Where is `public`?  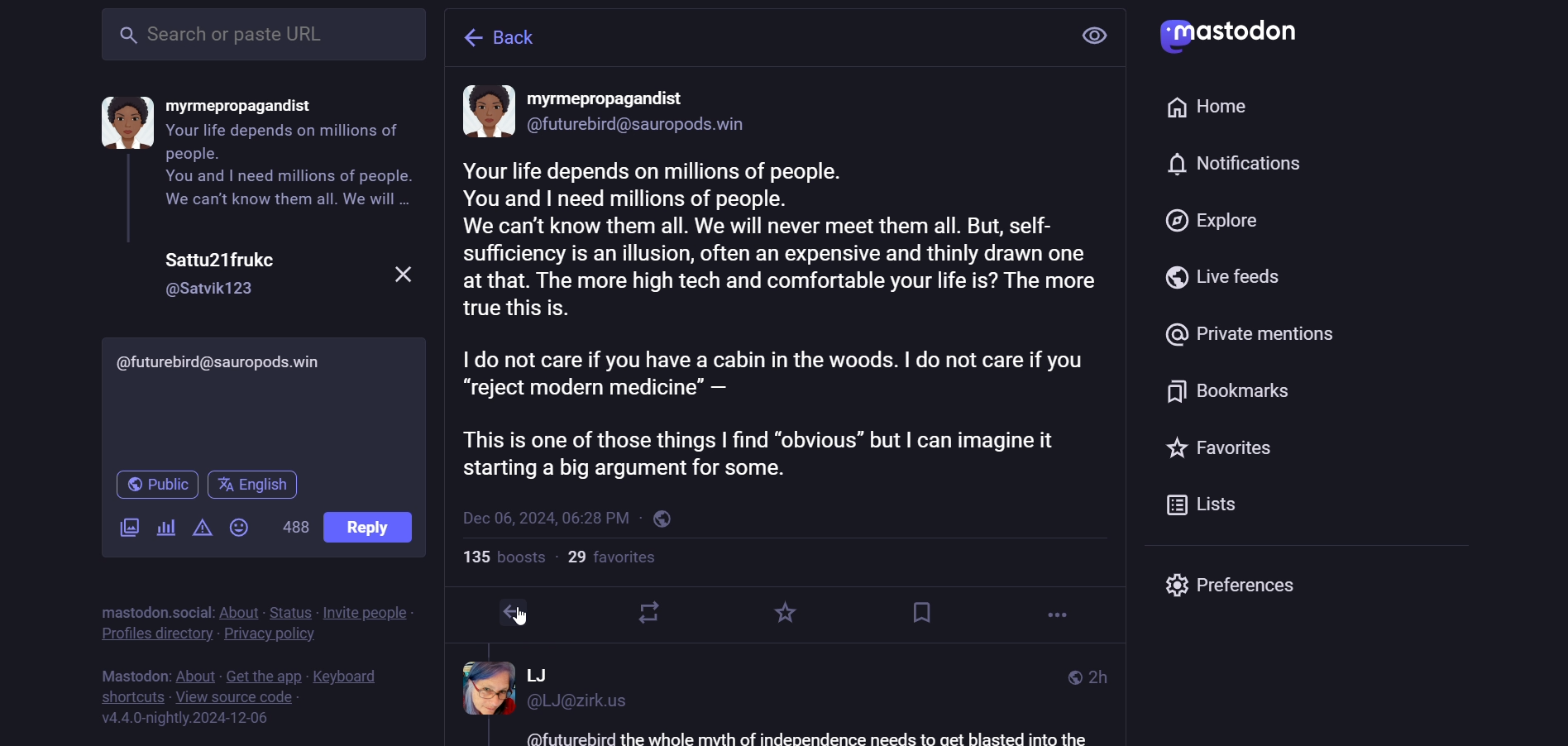 public is located at coordinates (154, 485).